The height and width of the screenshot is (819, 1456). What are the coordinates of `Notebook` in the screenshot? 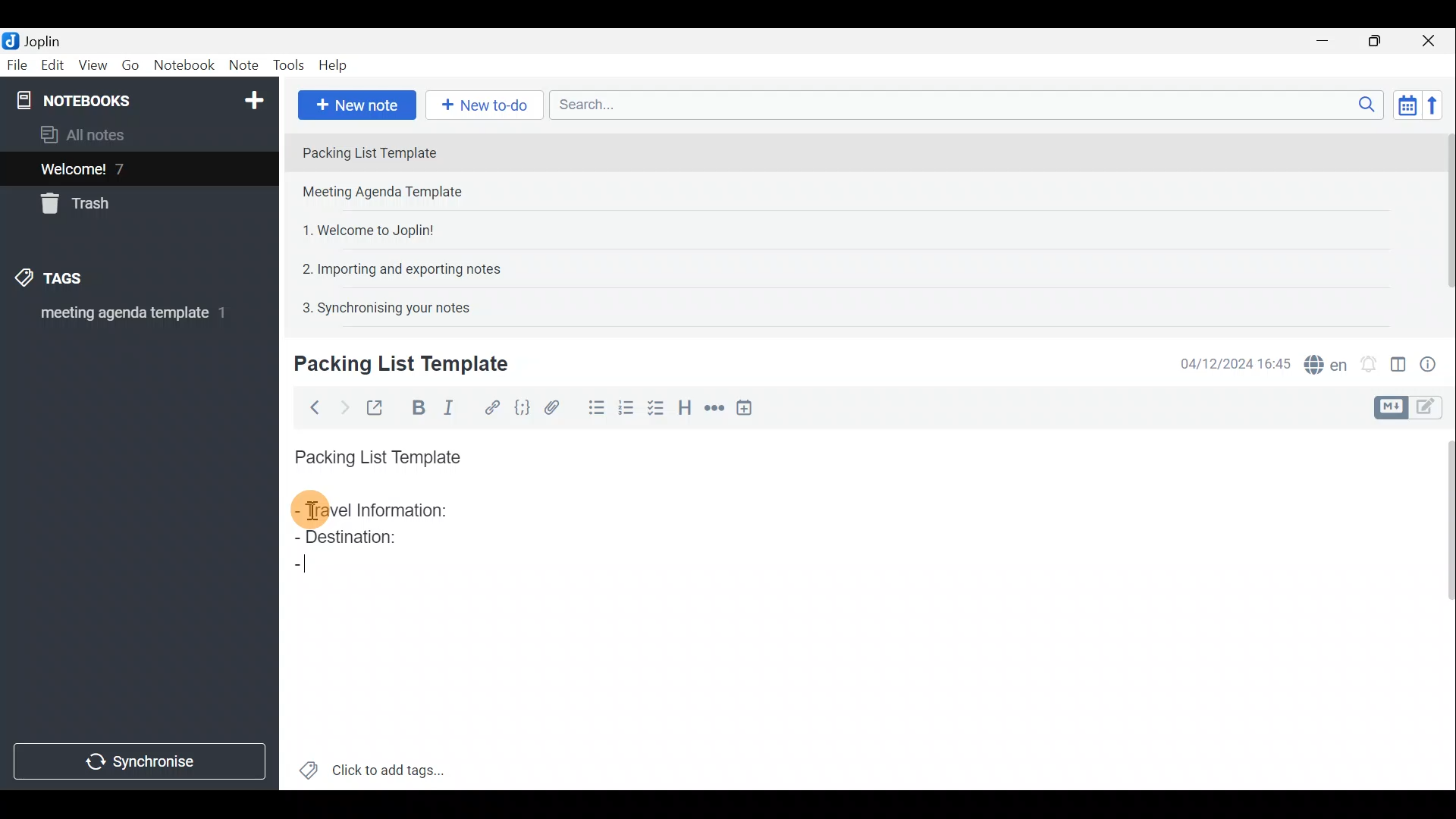 It's located at (184, 67).